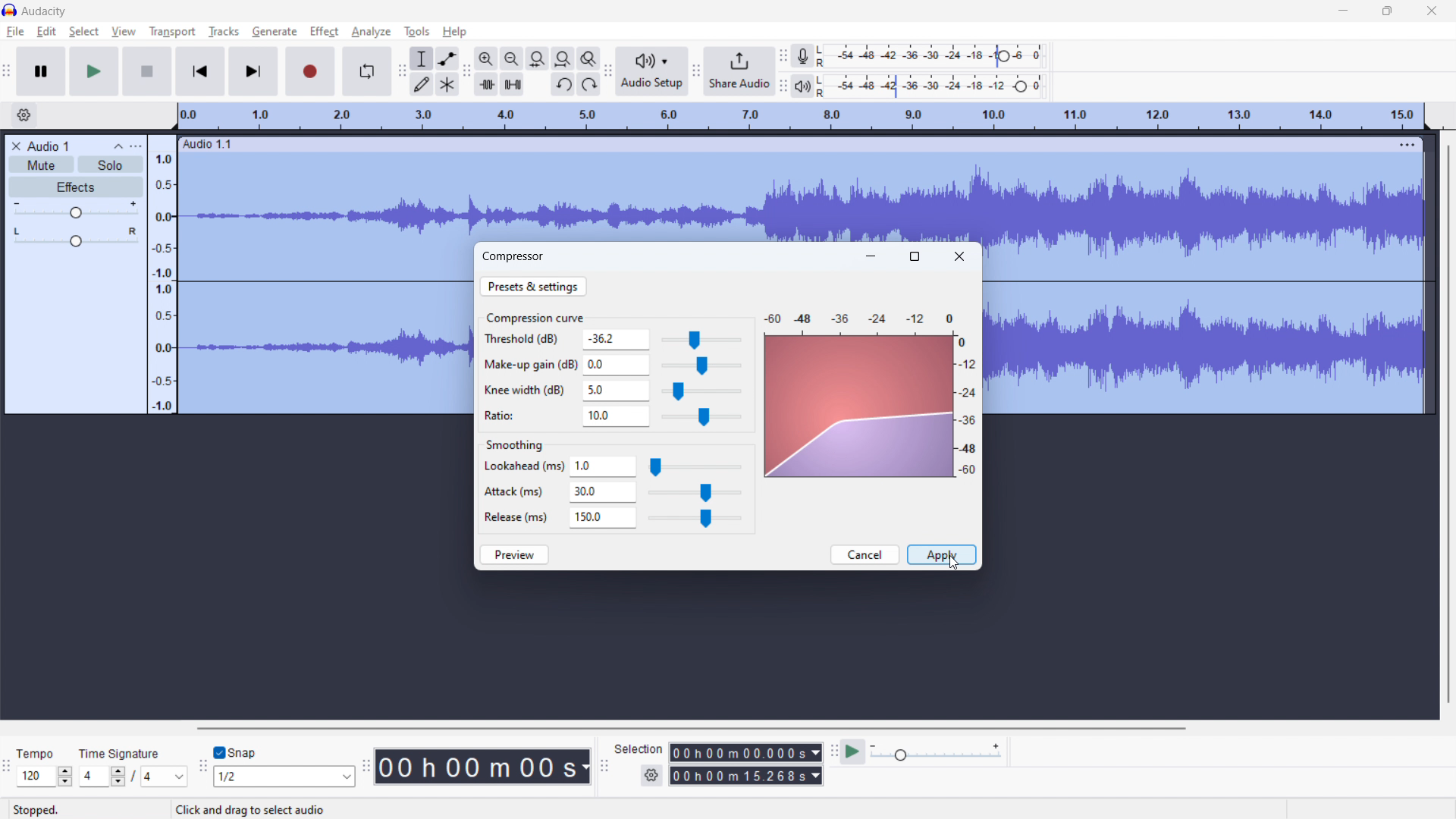  What do you see at coordinates (915, 256) in the screenshot?
I see `maximize` at bounding box center [915, 256].